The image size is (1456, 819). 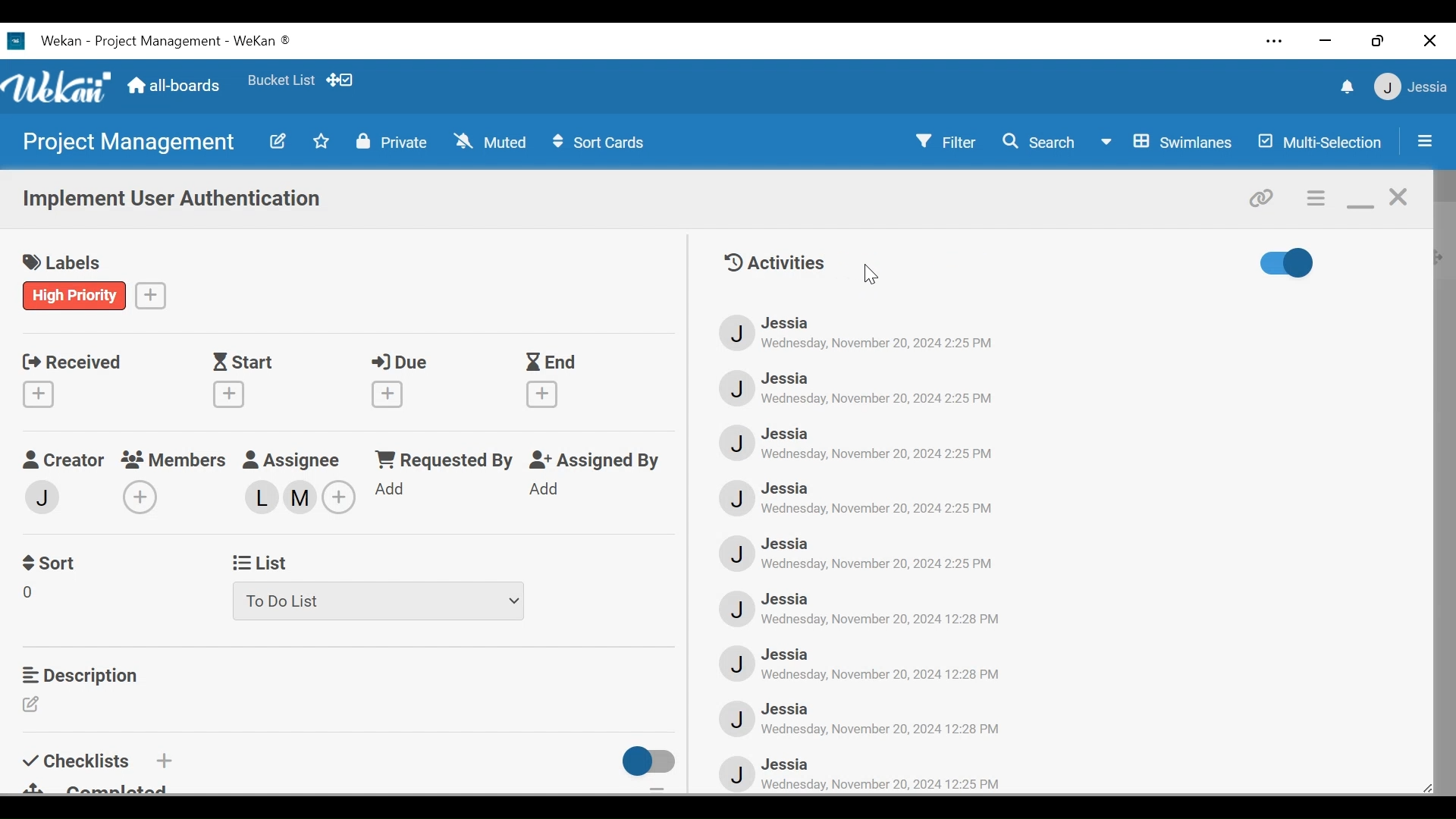 I want to click on copy card link, so click(x=1258, y=196).